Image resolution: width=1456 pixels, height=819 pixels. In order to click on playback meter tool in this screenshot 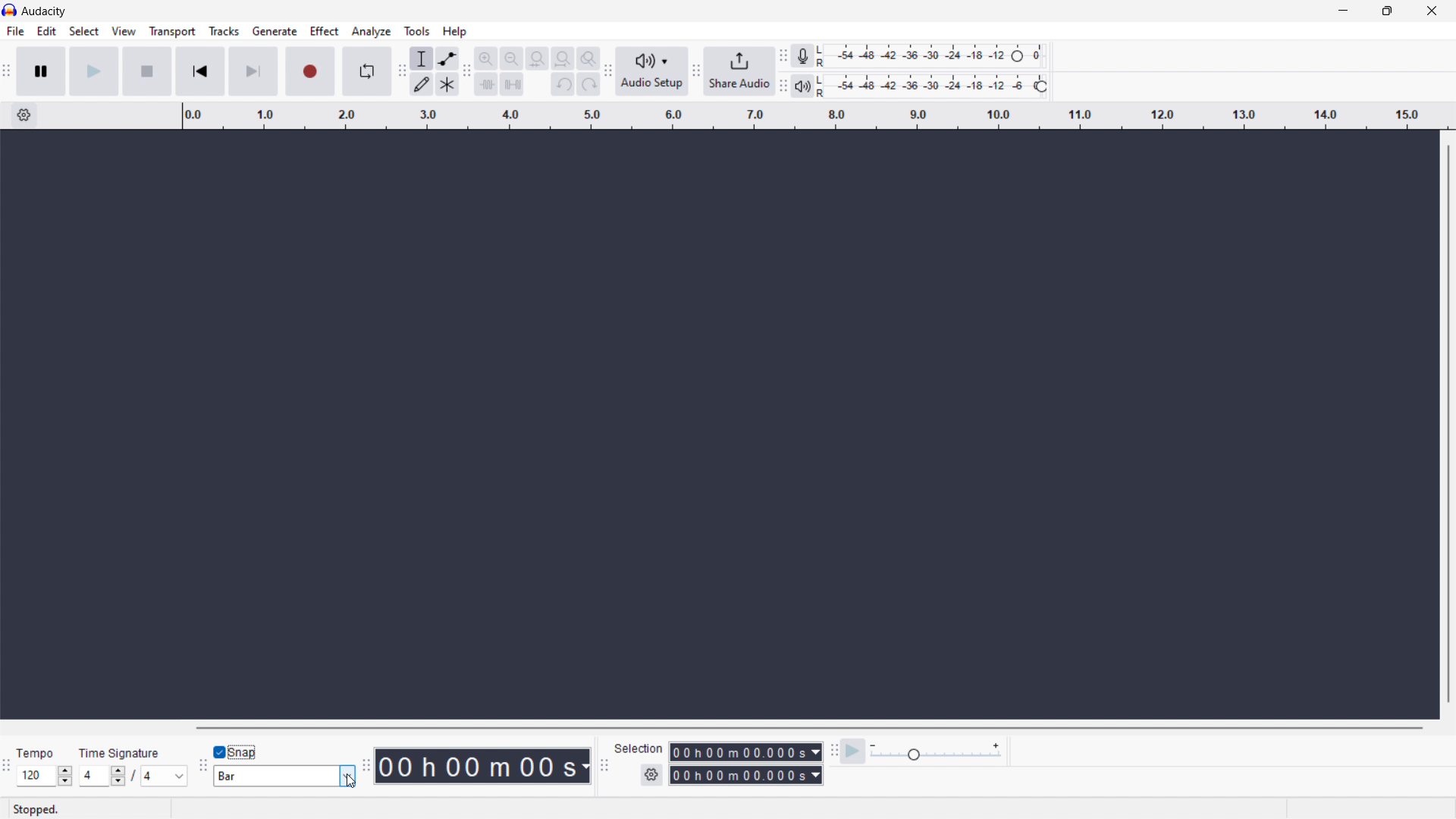, I will do `click(803, 86)`.